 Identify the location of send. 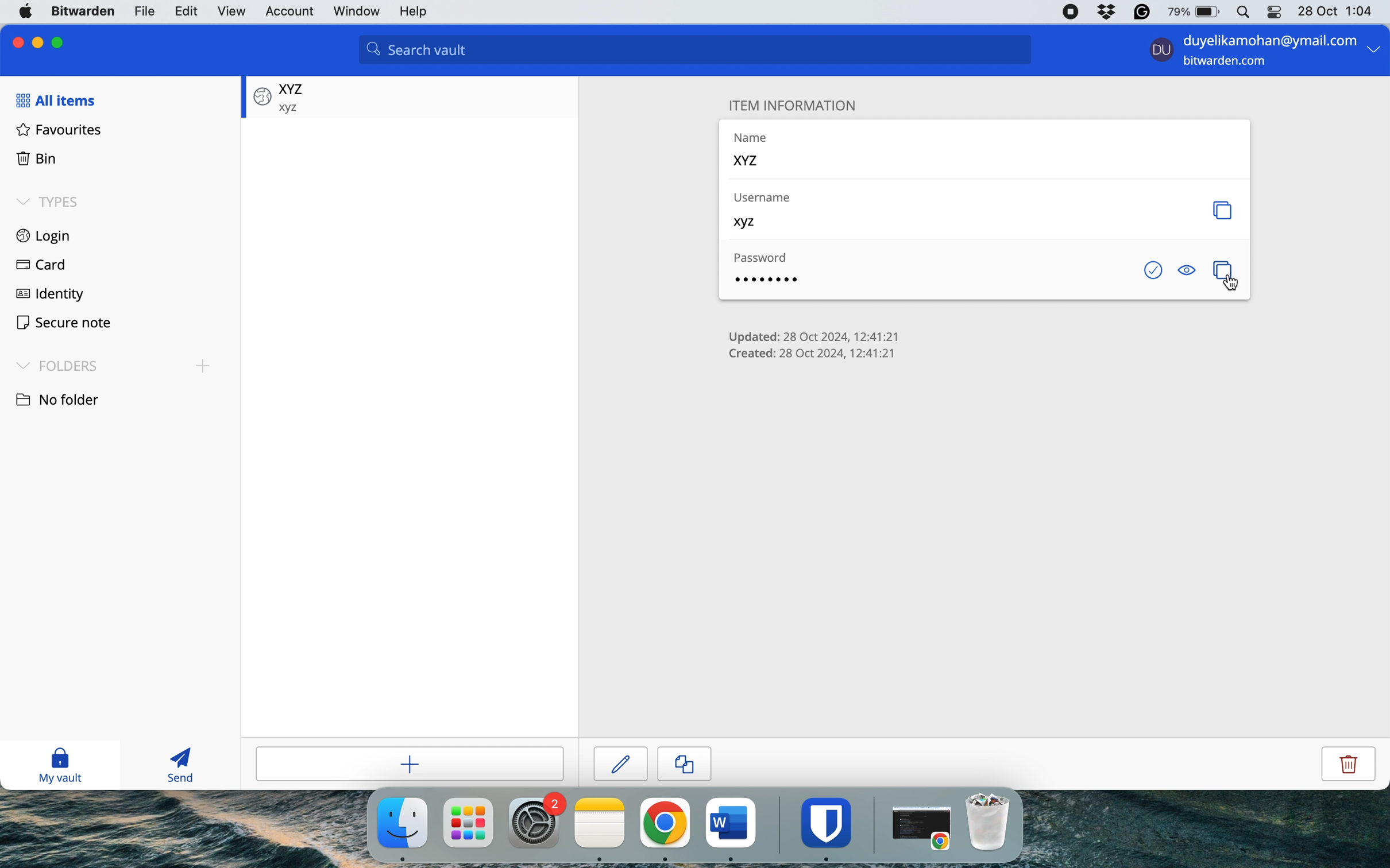
(176, 766).